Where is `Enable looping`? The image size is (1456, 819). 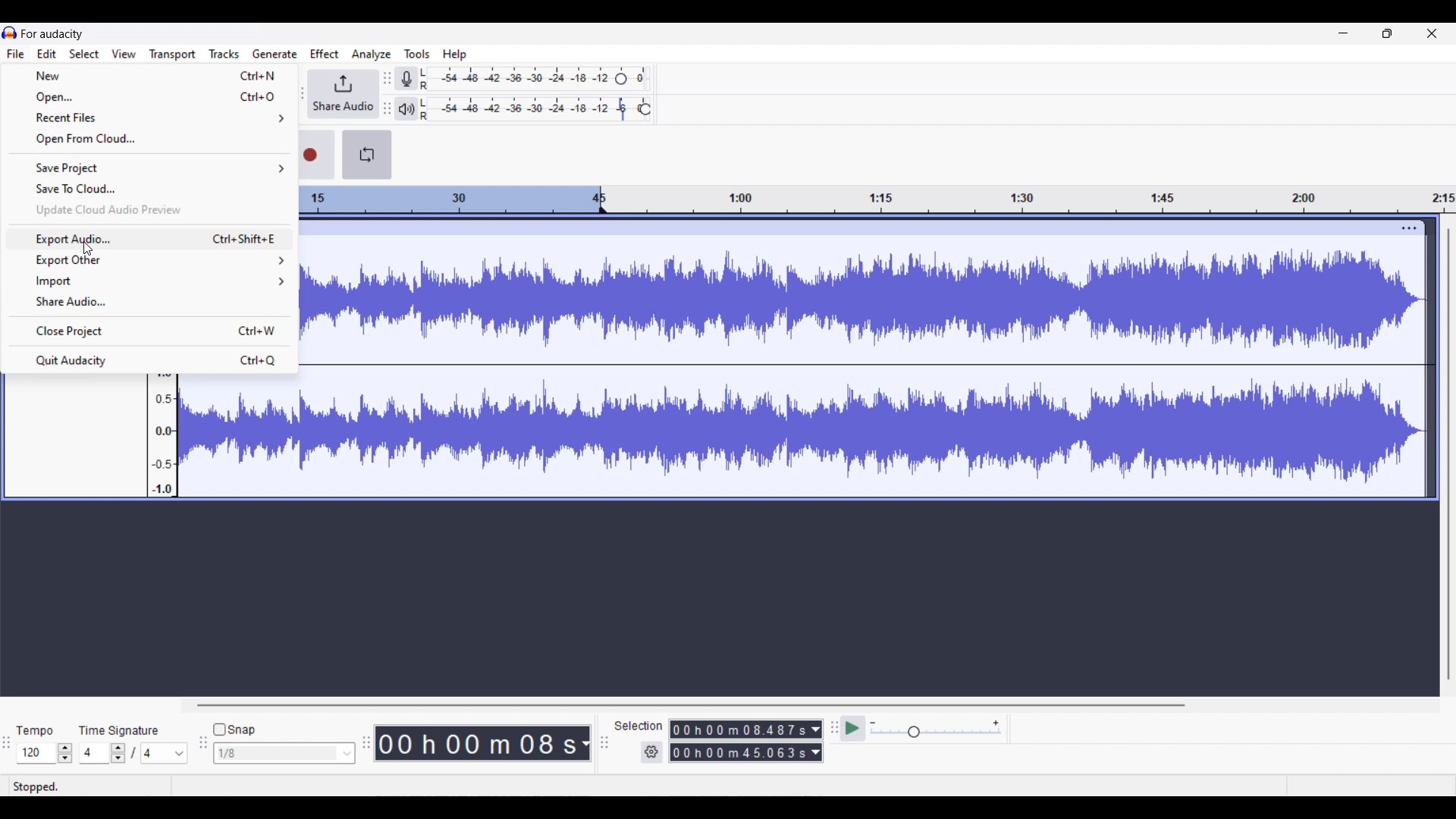 Enable looping is located at coordinates (366, 155).